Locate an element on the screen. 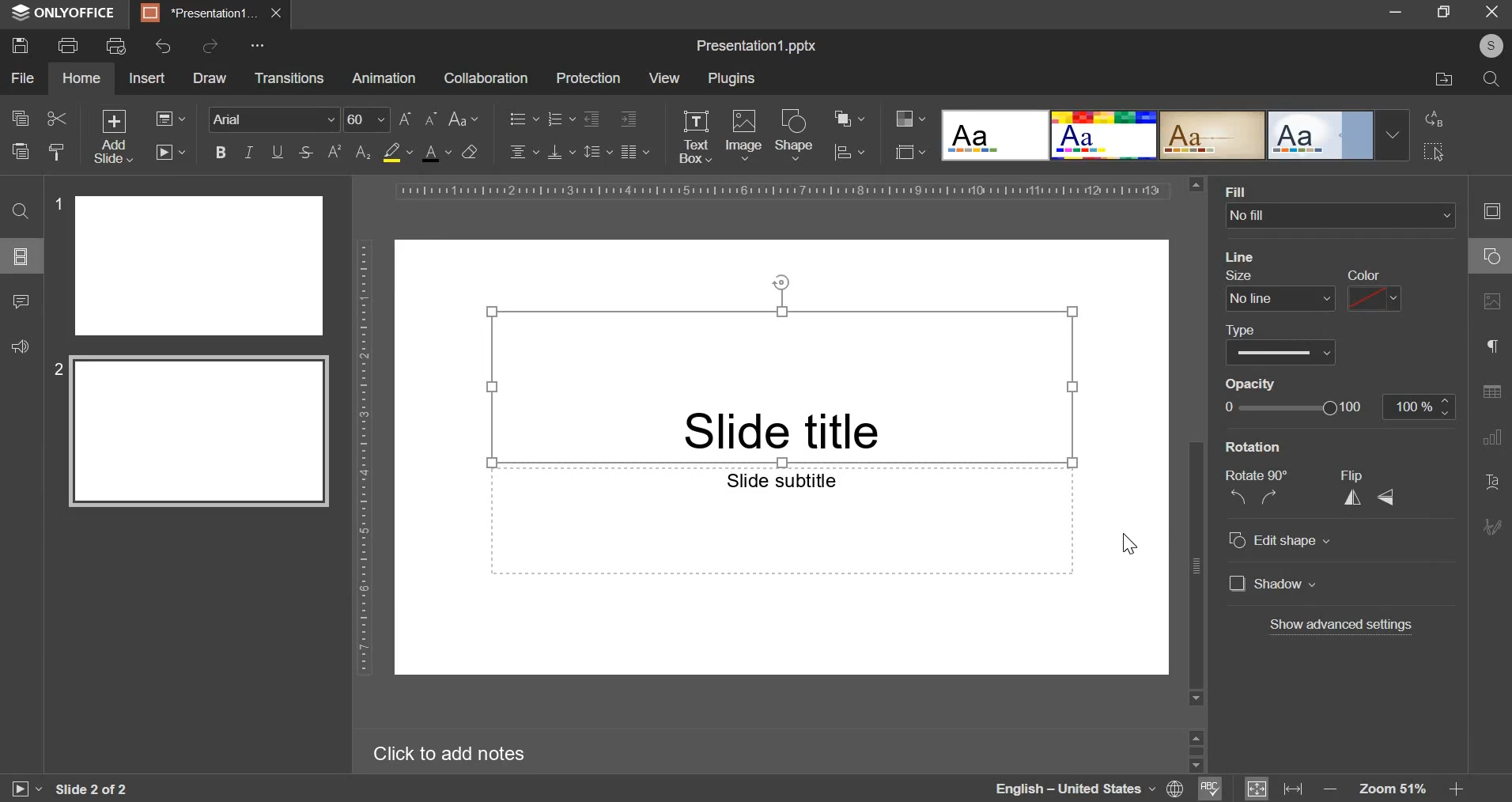 This screenshot has height=802, width=1512. slide 1 is located at coordinates (190, 265).